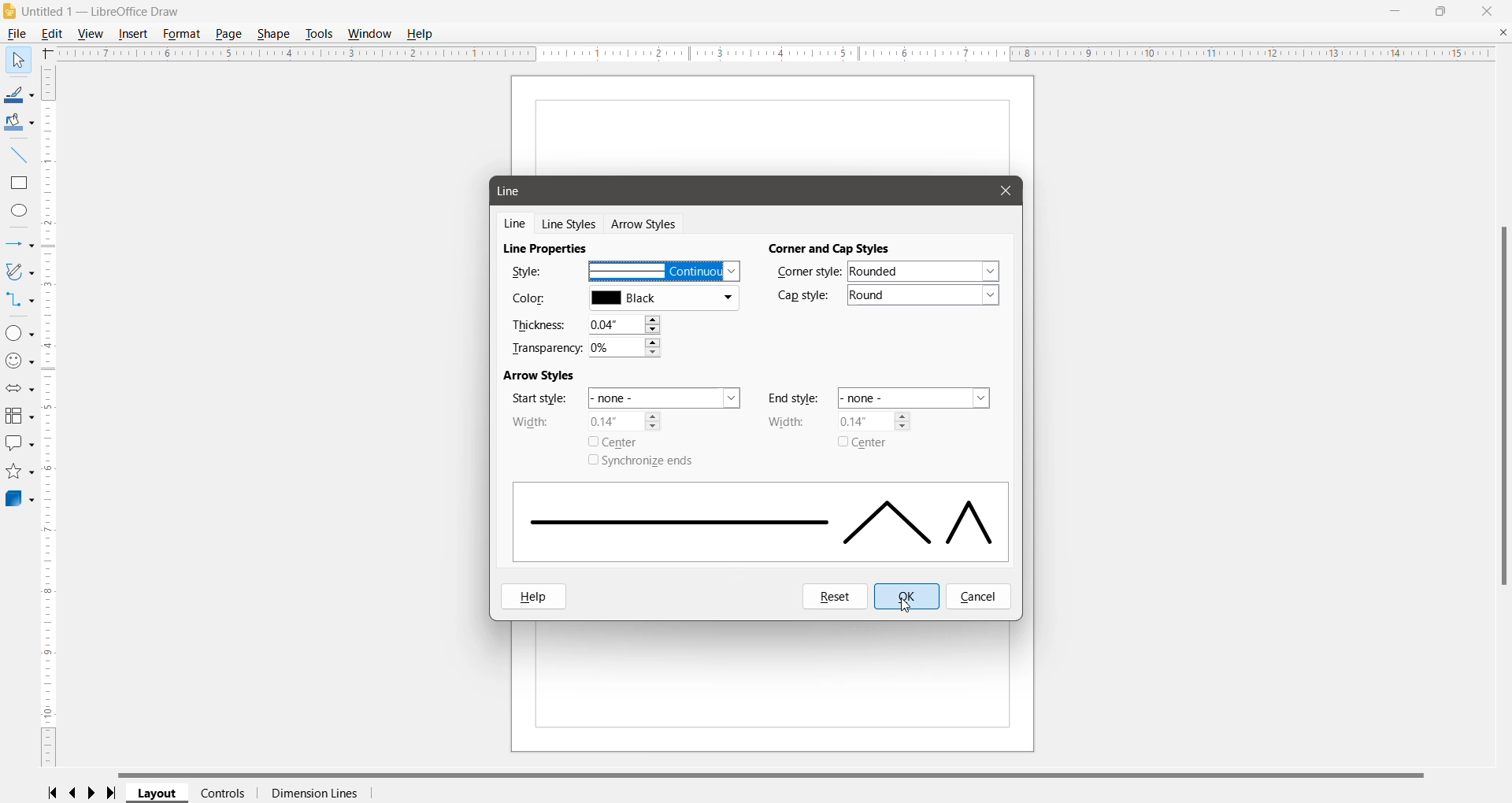  Describe the element at coordinates (979, 597) in the screenshot. I see `Cancel` at that location.